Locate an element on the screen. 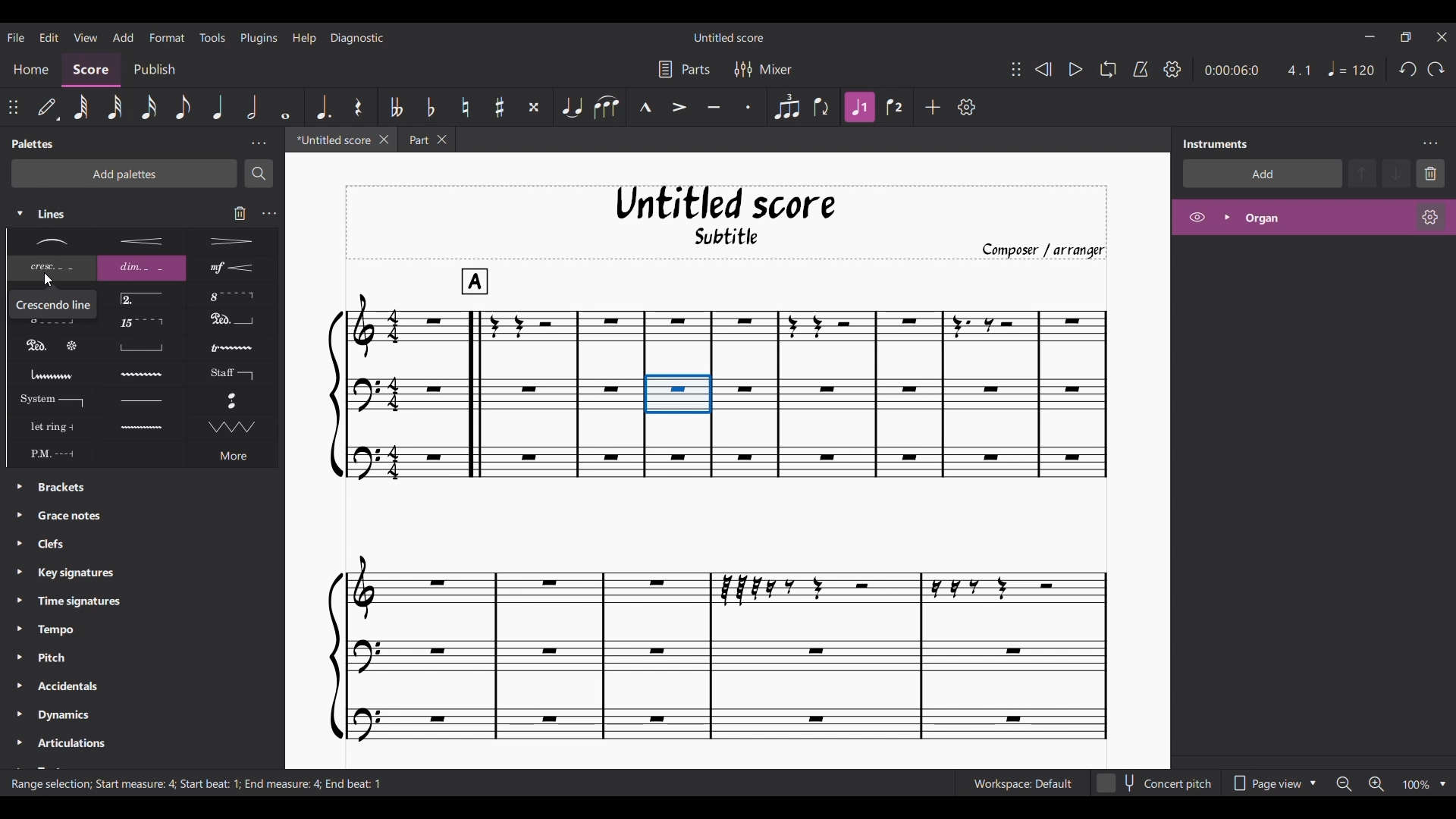 This screenshot has width=1456, height=819. Current duration and ratio of score is located at coordinates (1257, 70).